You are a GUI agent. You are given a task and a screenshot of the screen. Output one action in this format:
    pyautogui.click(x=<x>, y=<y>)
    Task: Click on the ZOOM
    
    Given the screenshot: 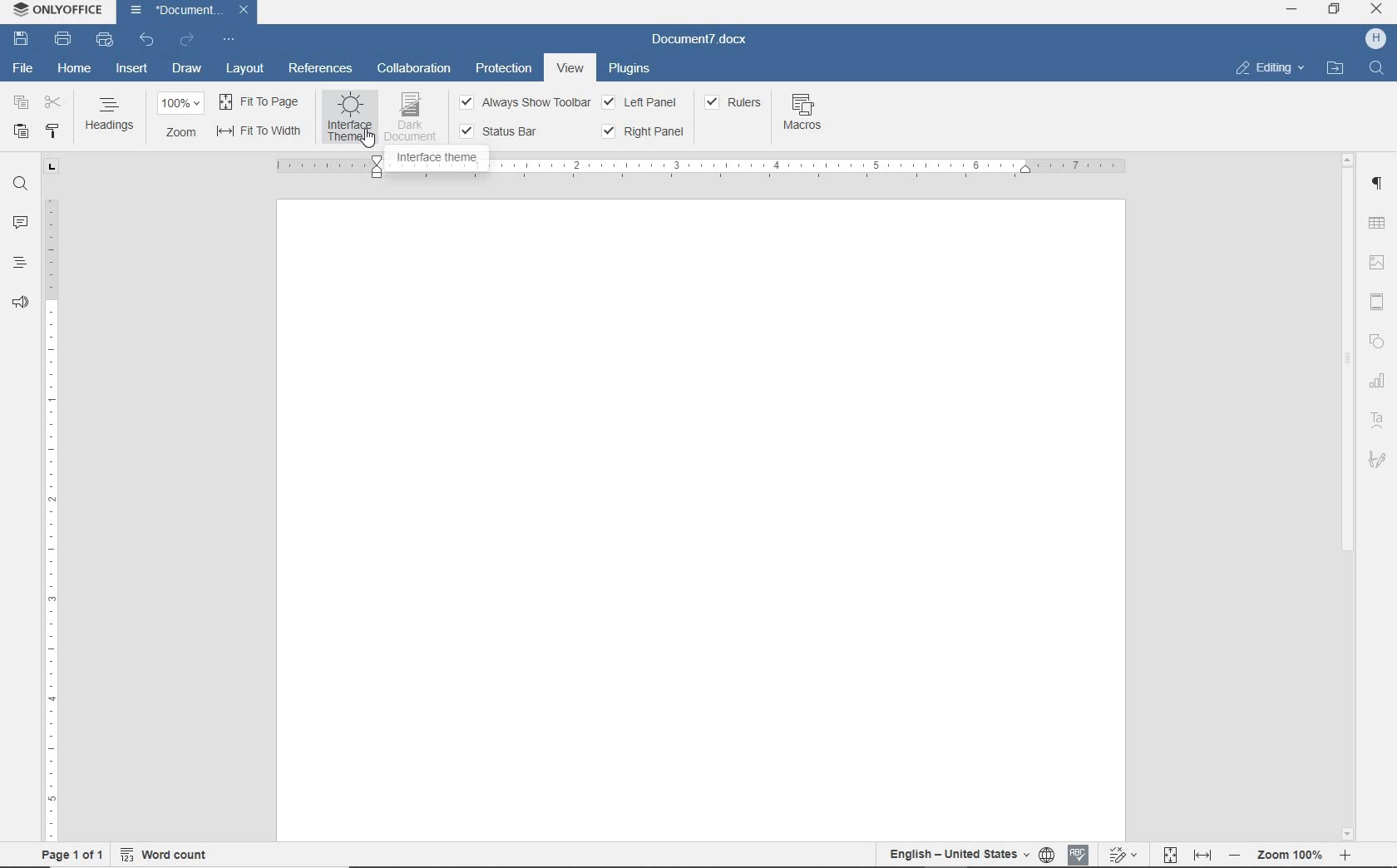 What is the action you would take?
    pyautogui.click(x=182, y=105)
    